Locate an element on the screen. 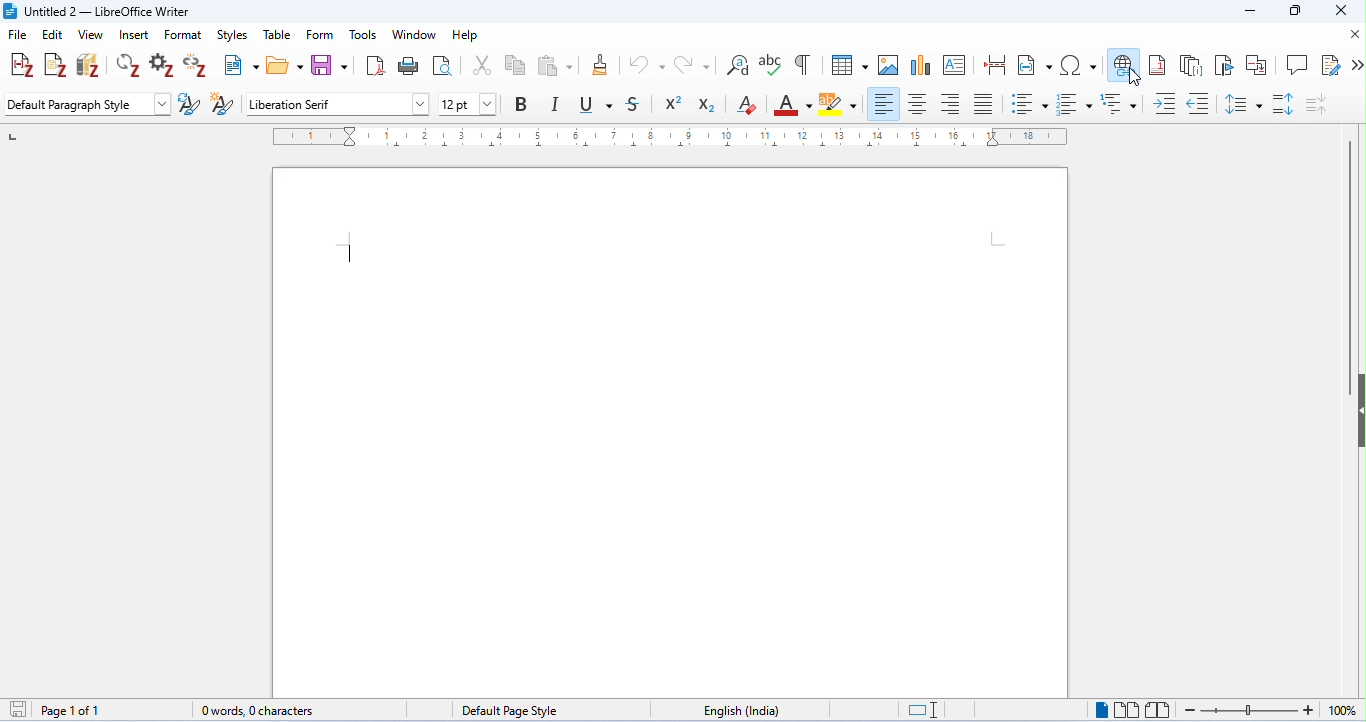 This screenshot has height=722, width=1366. superscript is located at coordinates (674, 104).